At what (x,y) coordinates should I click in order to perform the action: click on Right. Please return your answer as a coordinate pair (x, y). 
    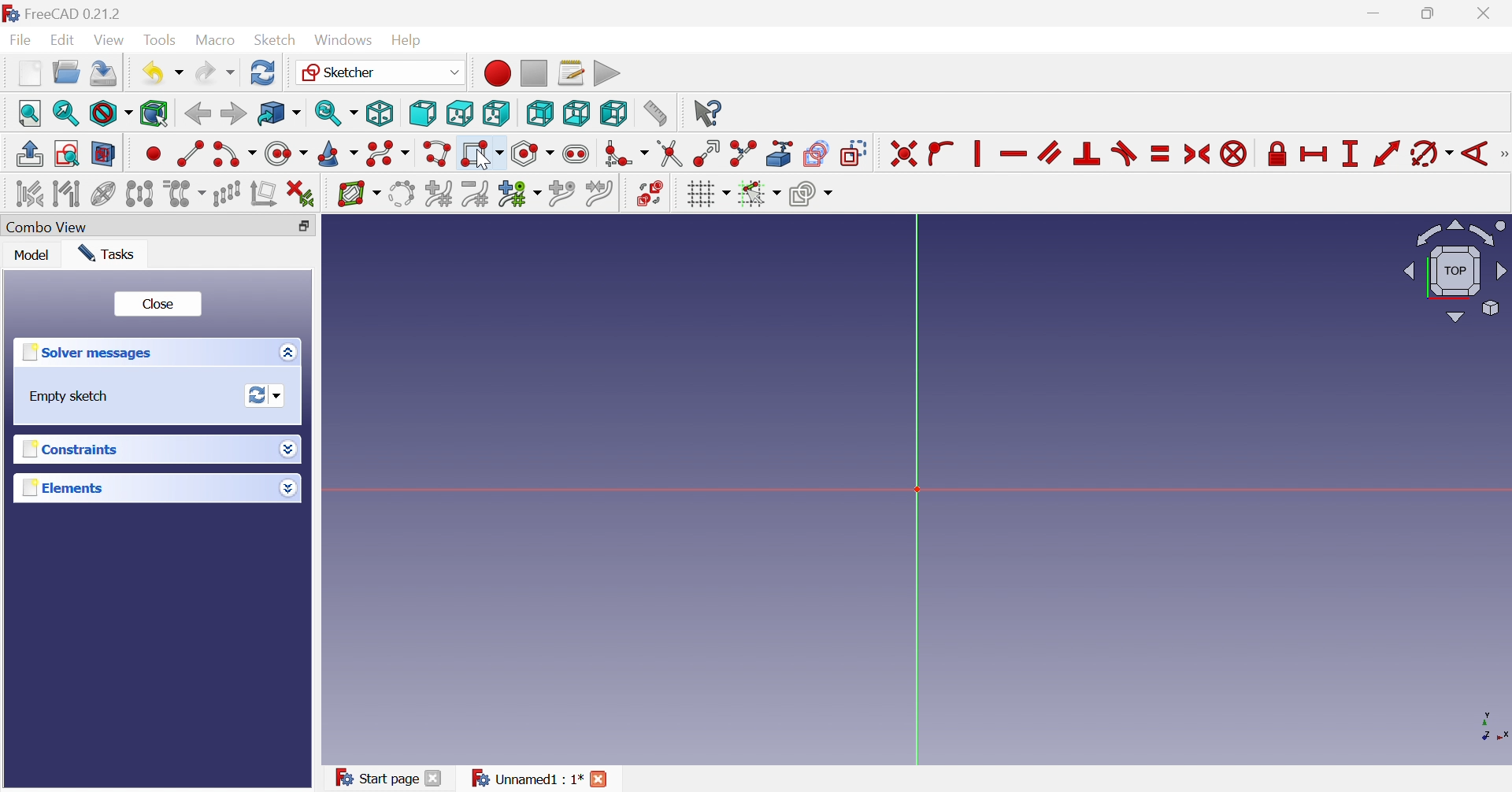
    Looking at the image, I should click on (495, 113).